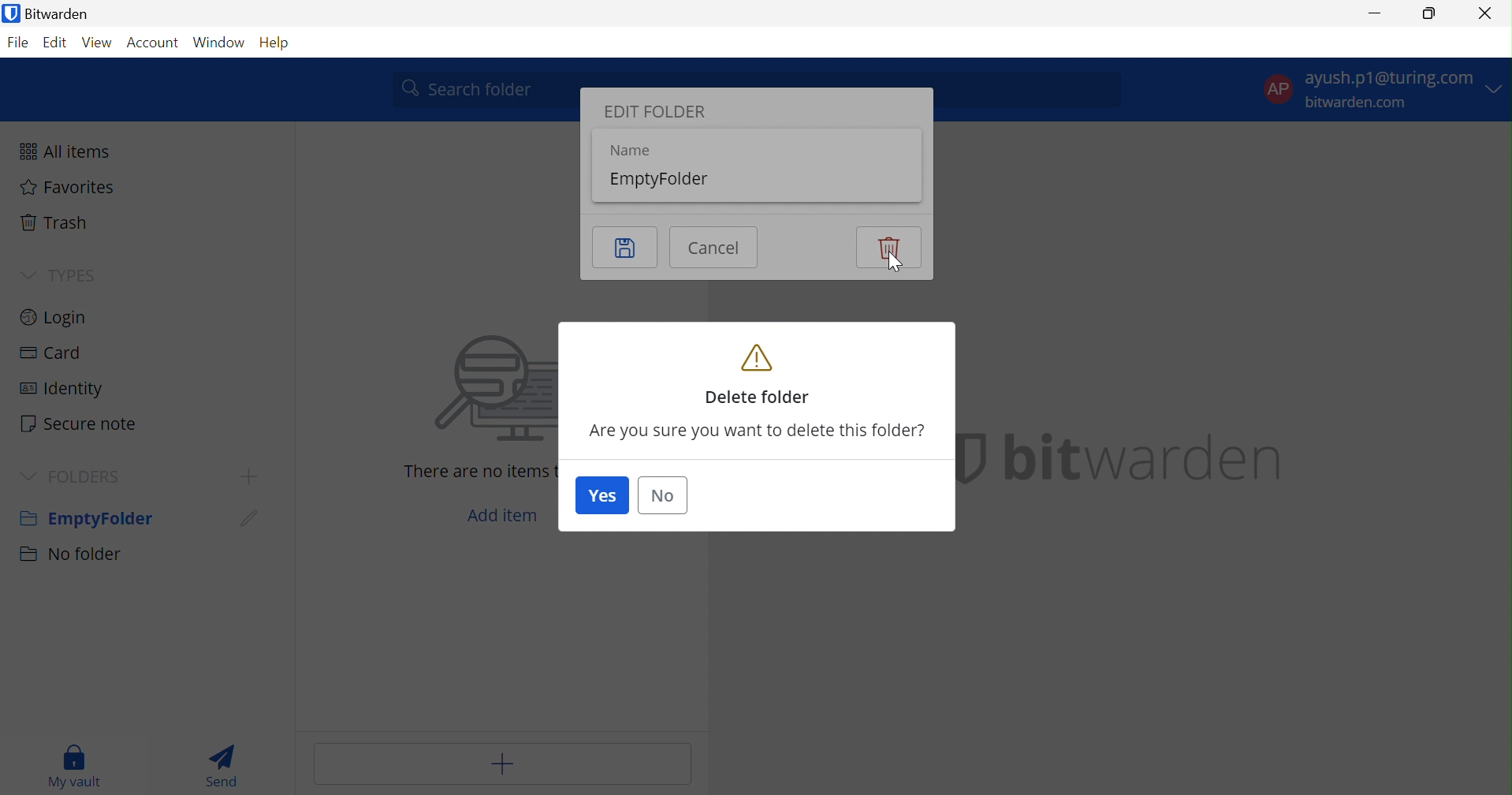  What do you see at coordinates (758, 433) in the screenshot?
I see `Are you sure you want to delete this folder?` at bounding box center [758, 433].